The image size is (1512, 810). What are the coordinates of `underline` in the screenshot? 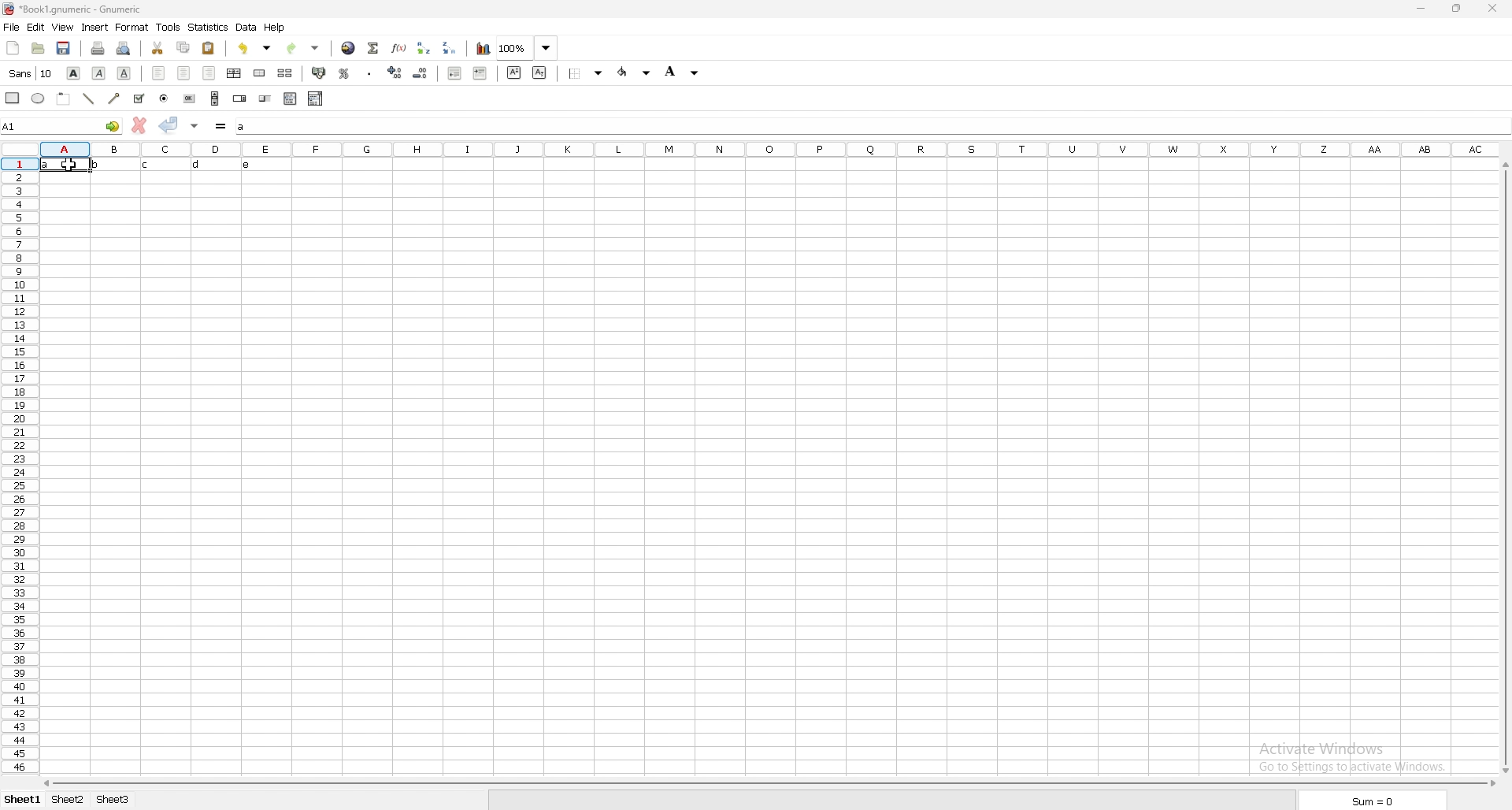 It's located at (124, 73).